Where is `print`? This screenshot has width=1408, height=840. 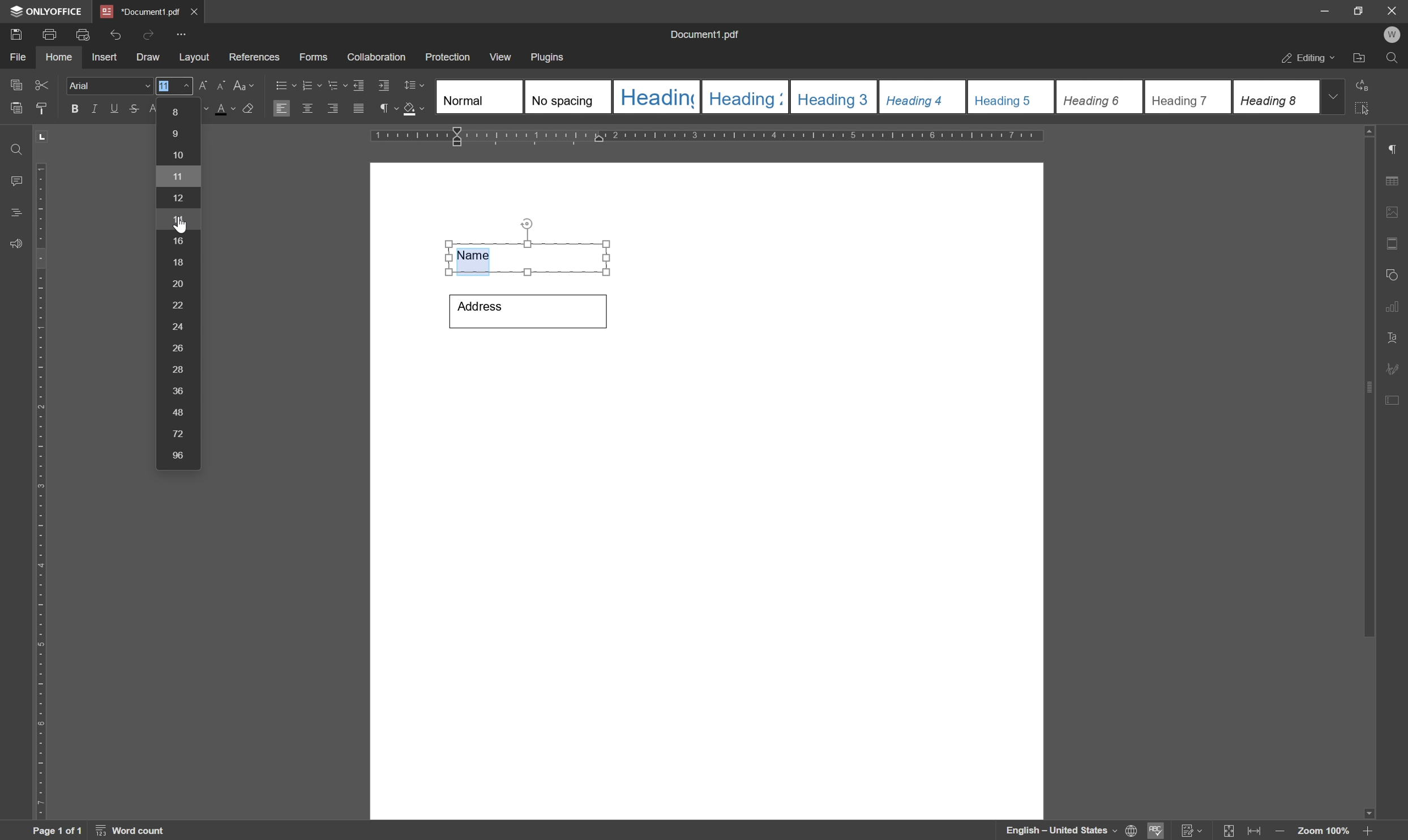
print is located at coordinates (49, 35).